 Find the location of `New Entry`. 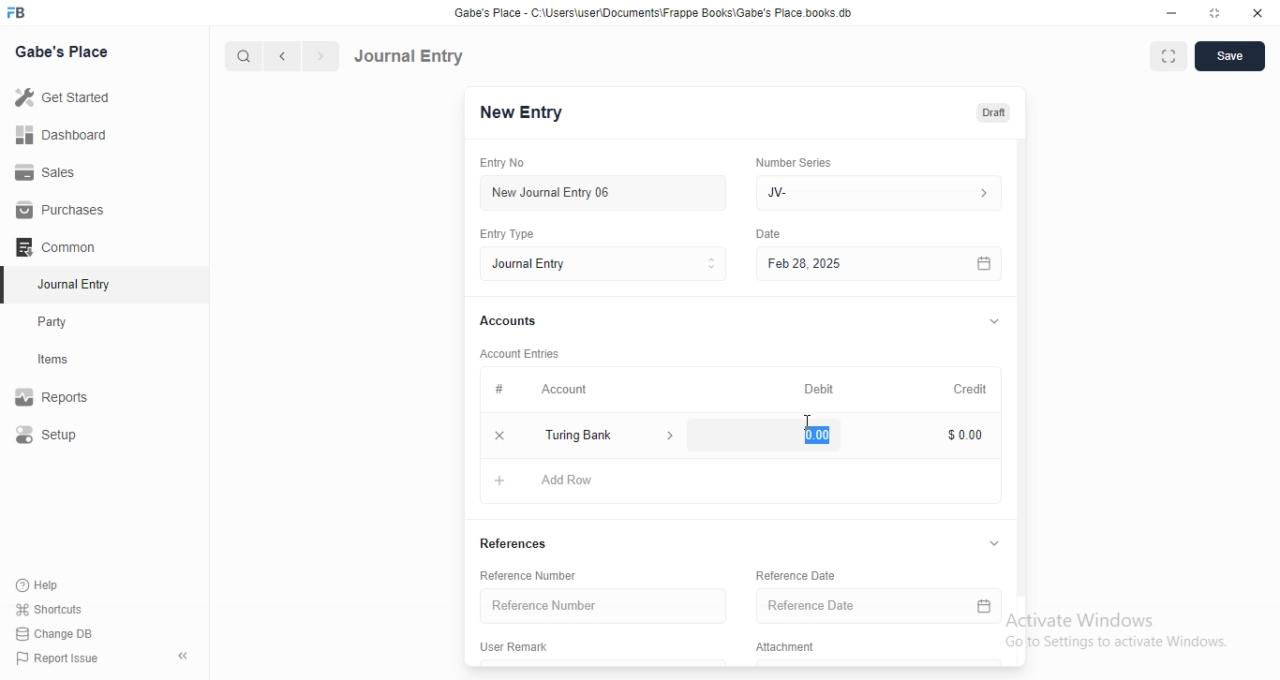

New Entry is located at coordinates (519, 113).